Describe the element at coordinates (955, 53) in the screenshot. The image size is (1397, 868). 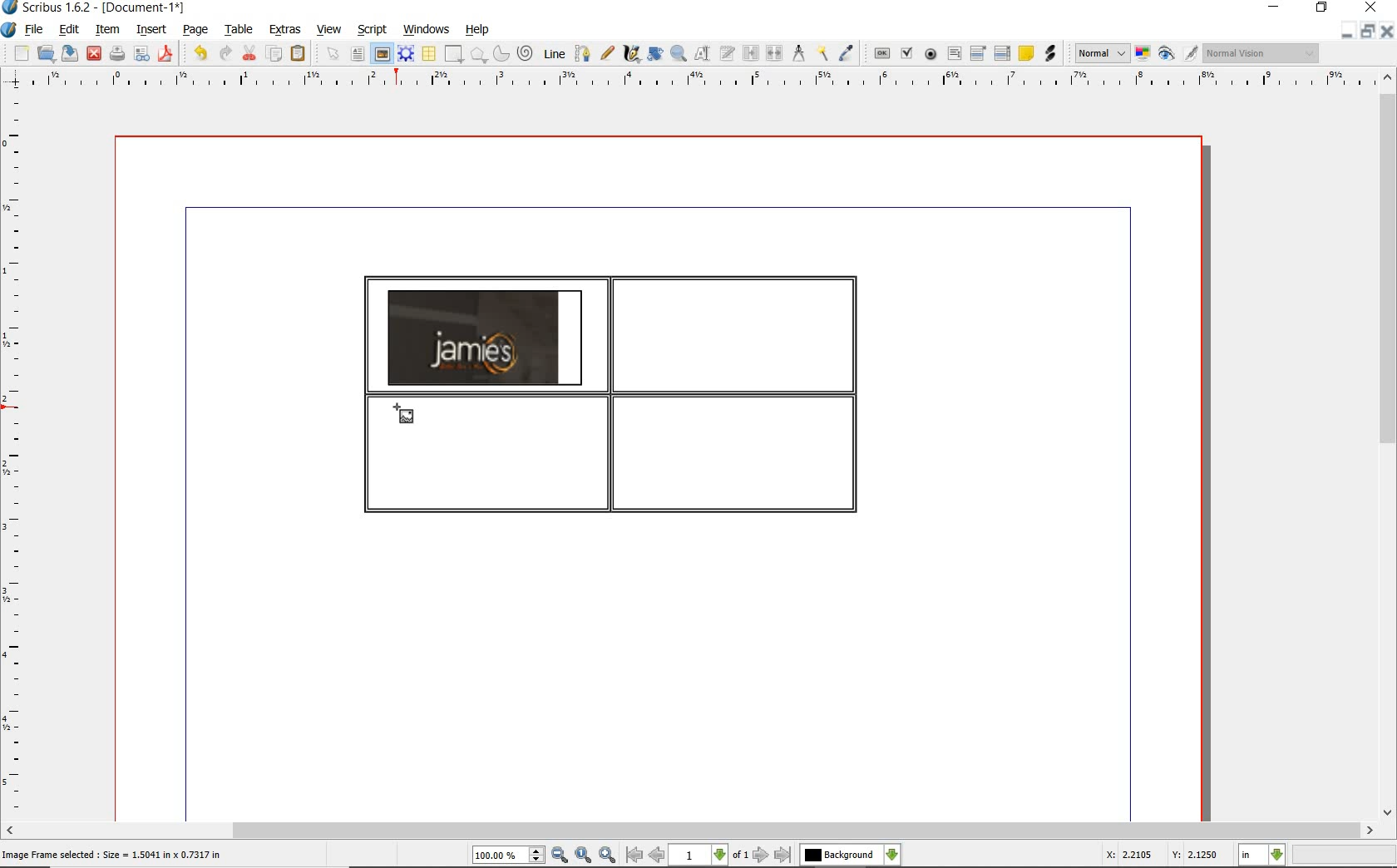
I see `pdf text field` at that location.